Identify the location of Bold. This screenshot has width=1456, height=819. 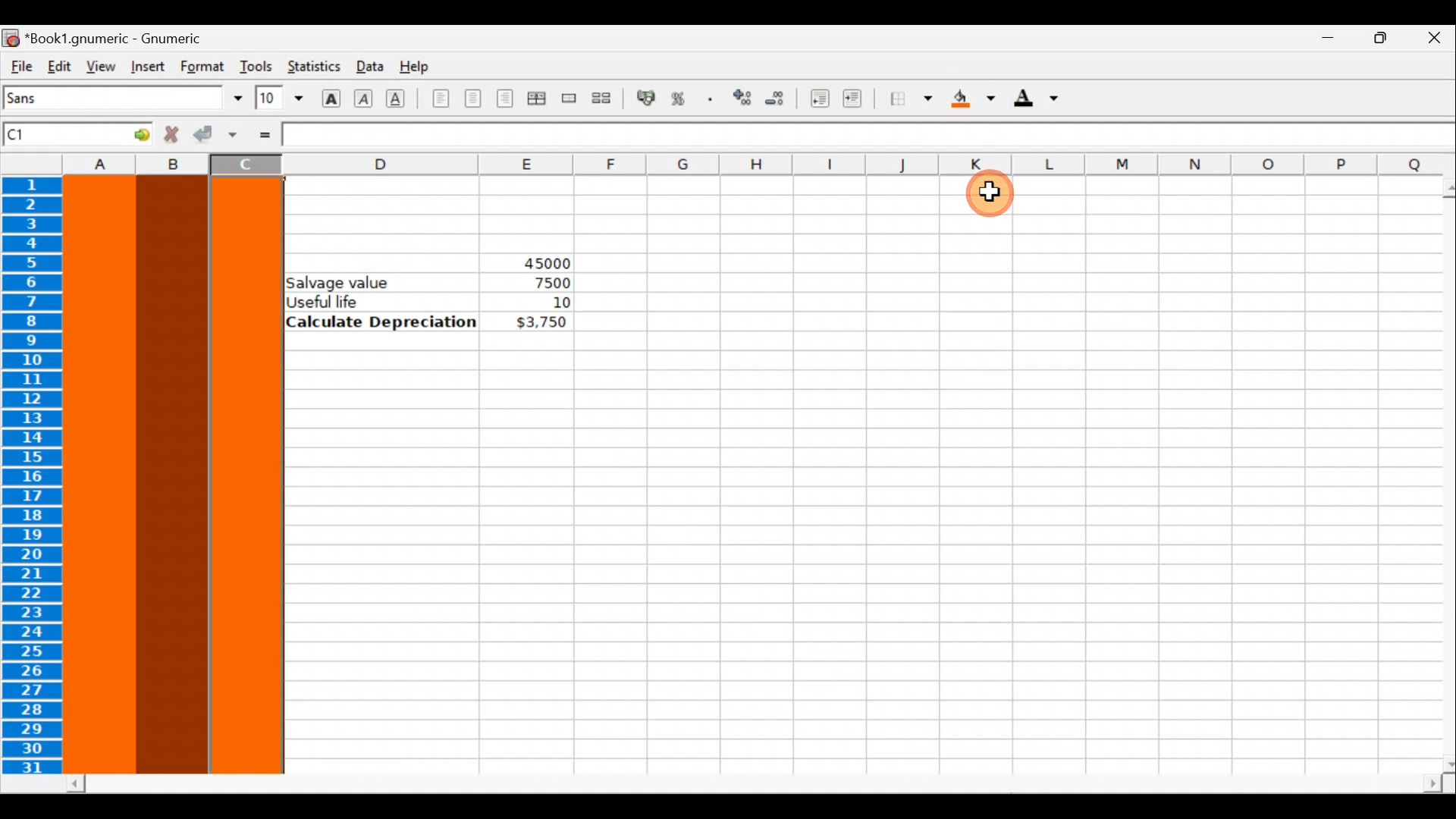
(331, 96).